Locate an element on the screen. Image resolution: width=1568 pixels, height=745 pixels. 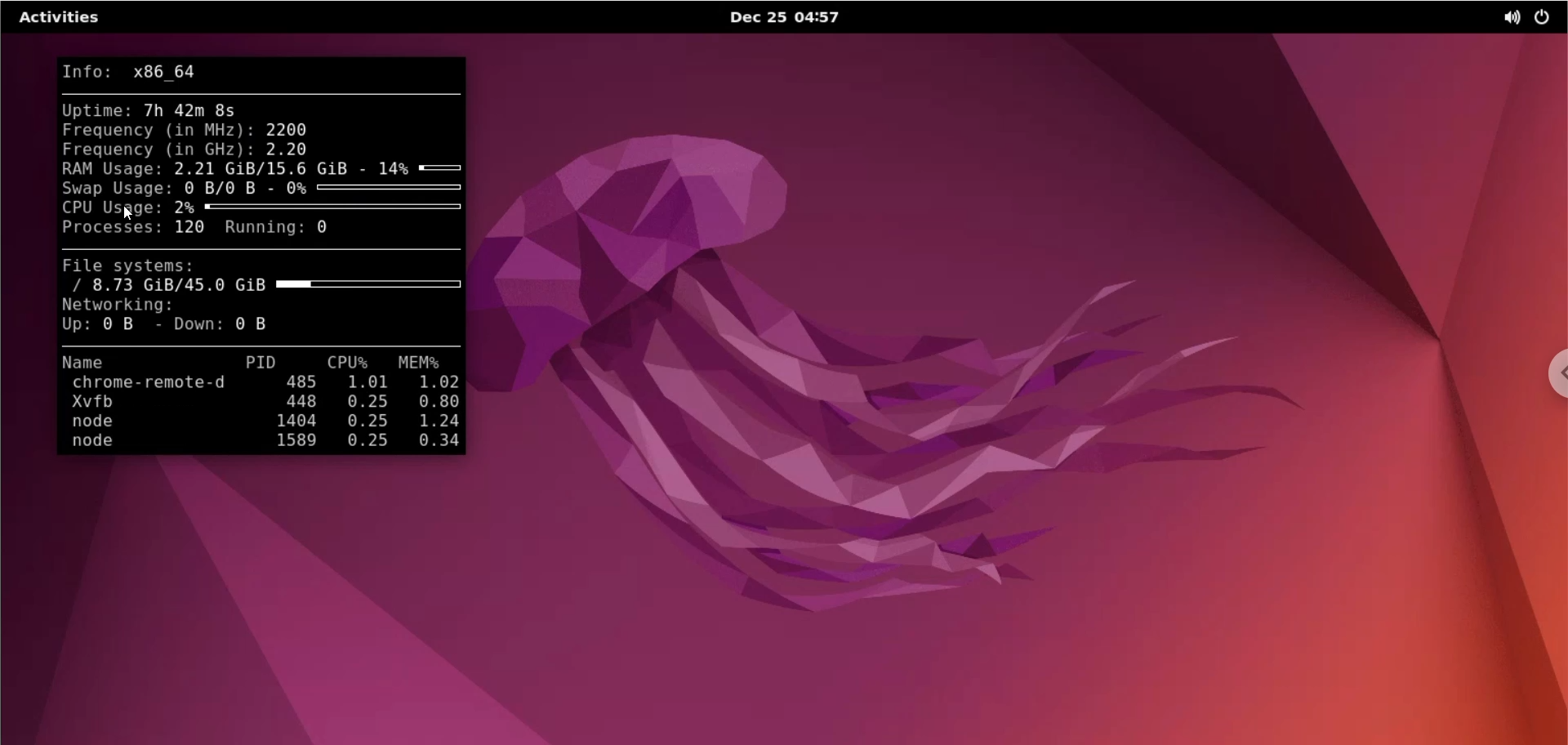
120 is located at coordinates (189, 230).